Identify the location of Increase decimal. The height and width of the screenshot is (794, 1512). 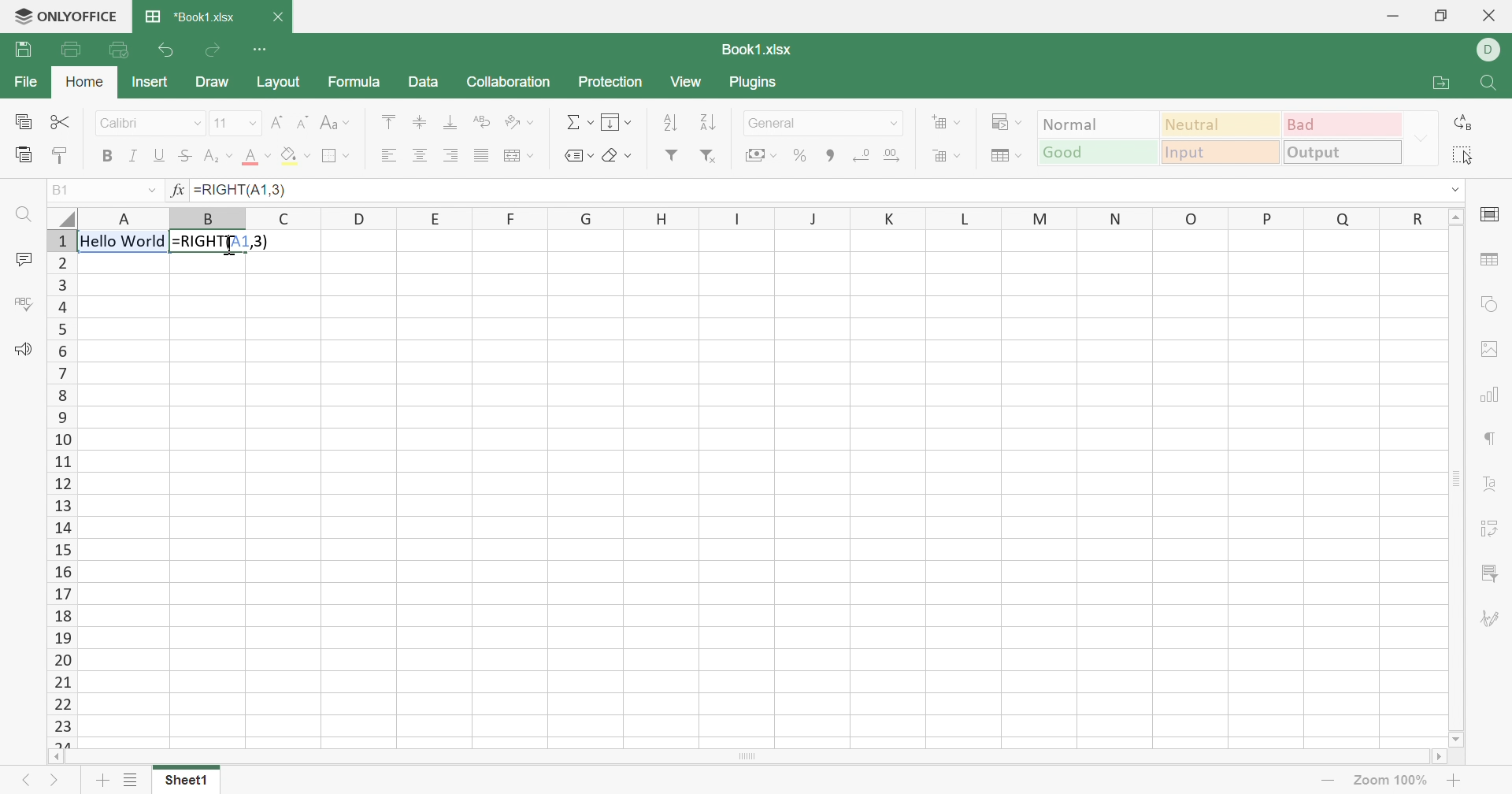
(895, 155).